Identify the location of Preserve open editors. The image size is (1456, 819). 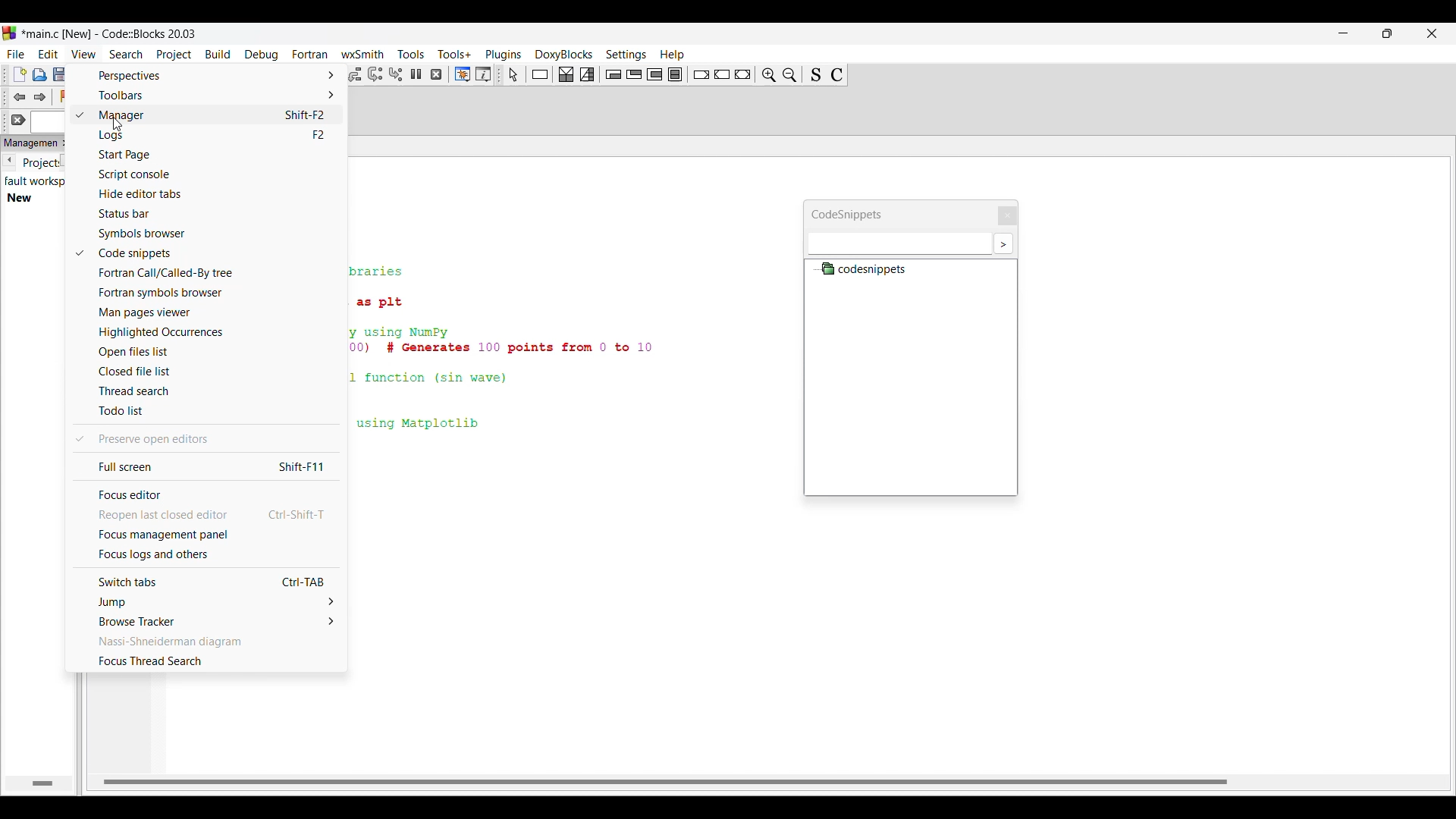
(216, 439).